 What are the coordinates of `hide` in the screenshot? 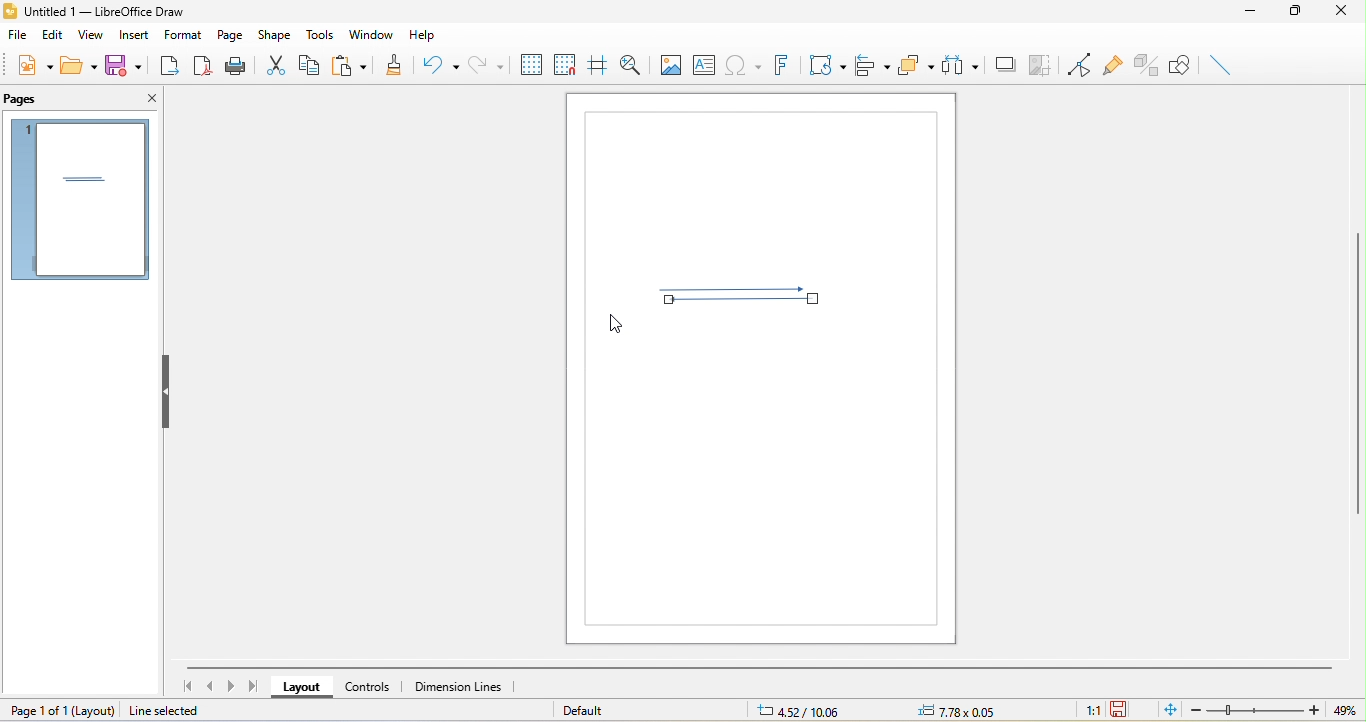 It's located at (168, 390).